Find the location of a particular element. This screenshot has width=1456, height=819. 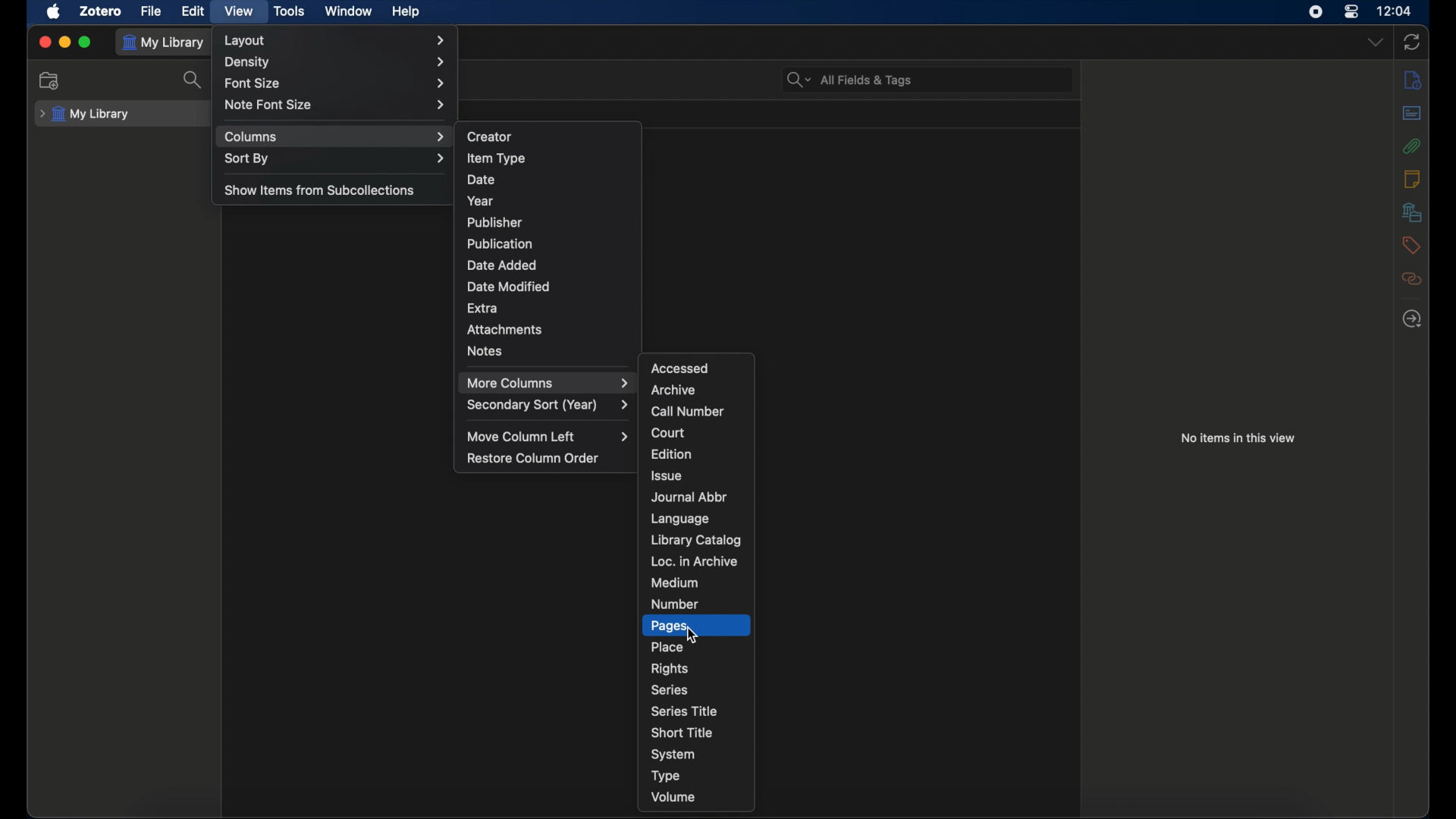

sort by is located at coordinates (335, 158).